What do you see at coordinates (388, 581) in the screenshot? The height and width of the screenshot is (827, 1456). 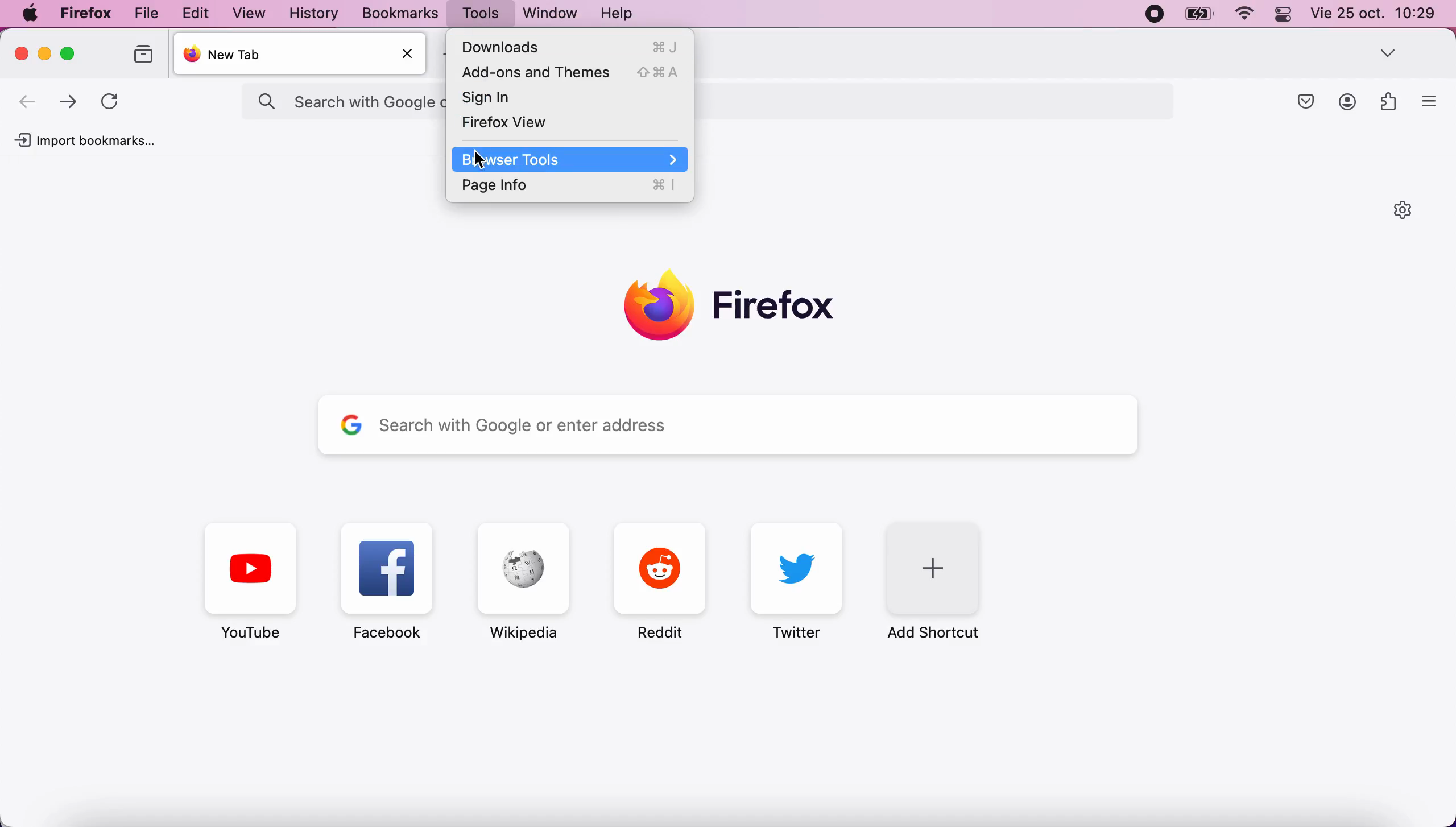 I see `Facebook` at bounding box center [388, 581].